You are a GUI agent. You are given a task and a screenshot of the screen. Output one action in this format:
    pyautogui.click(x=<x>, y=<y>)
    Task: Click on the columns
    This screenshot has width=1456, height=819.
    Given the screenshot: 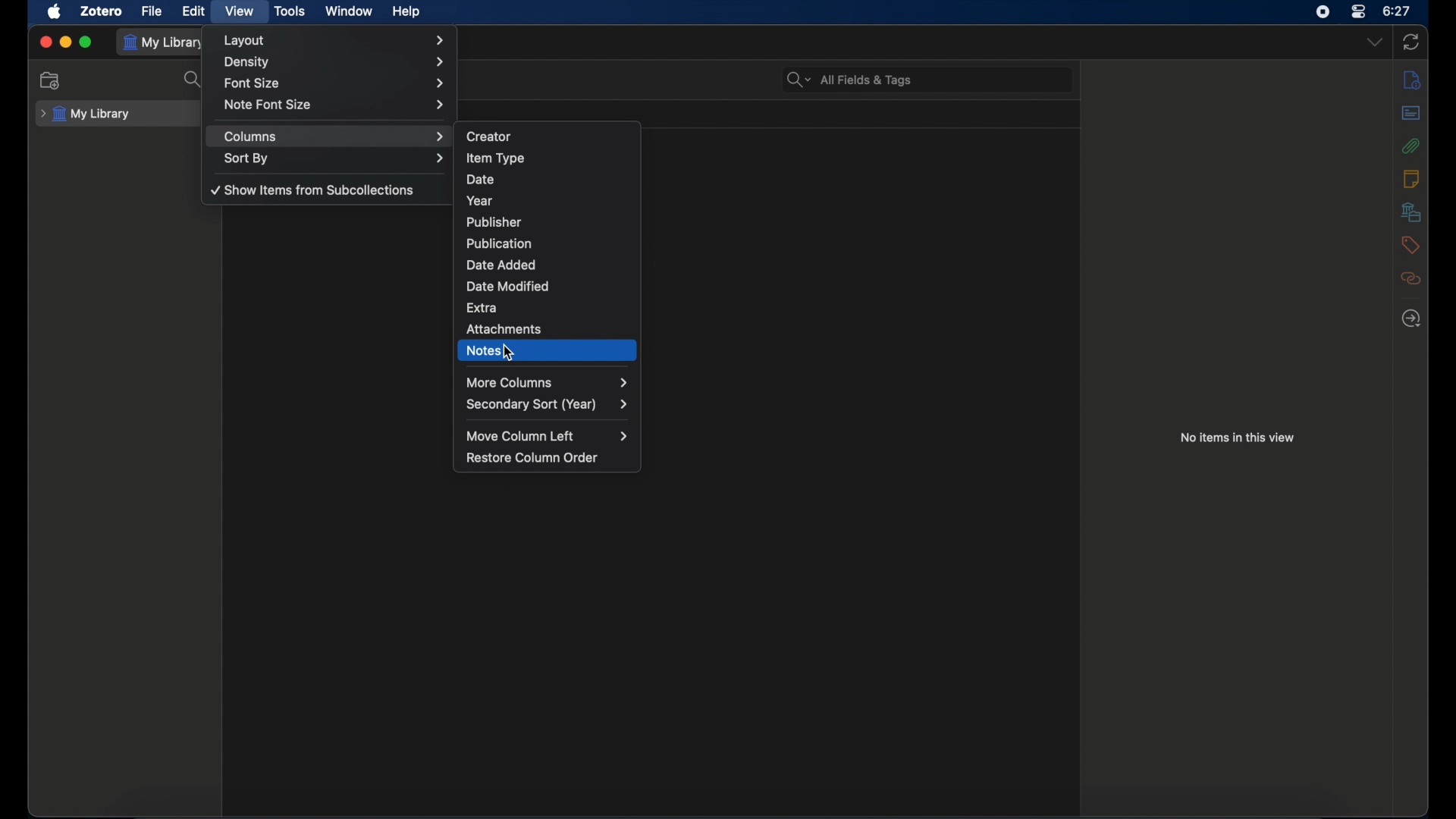 What is the action you would take?
    pyautogui.click(x=334, y=136)
    